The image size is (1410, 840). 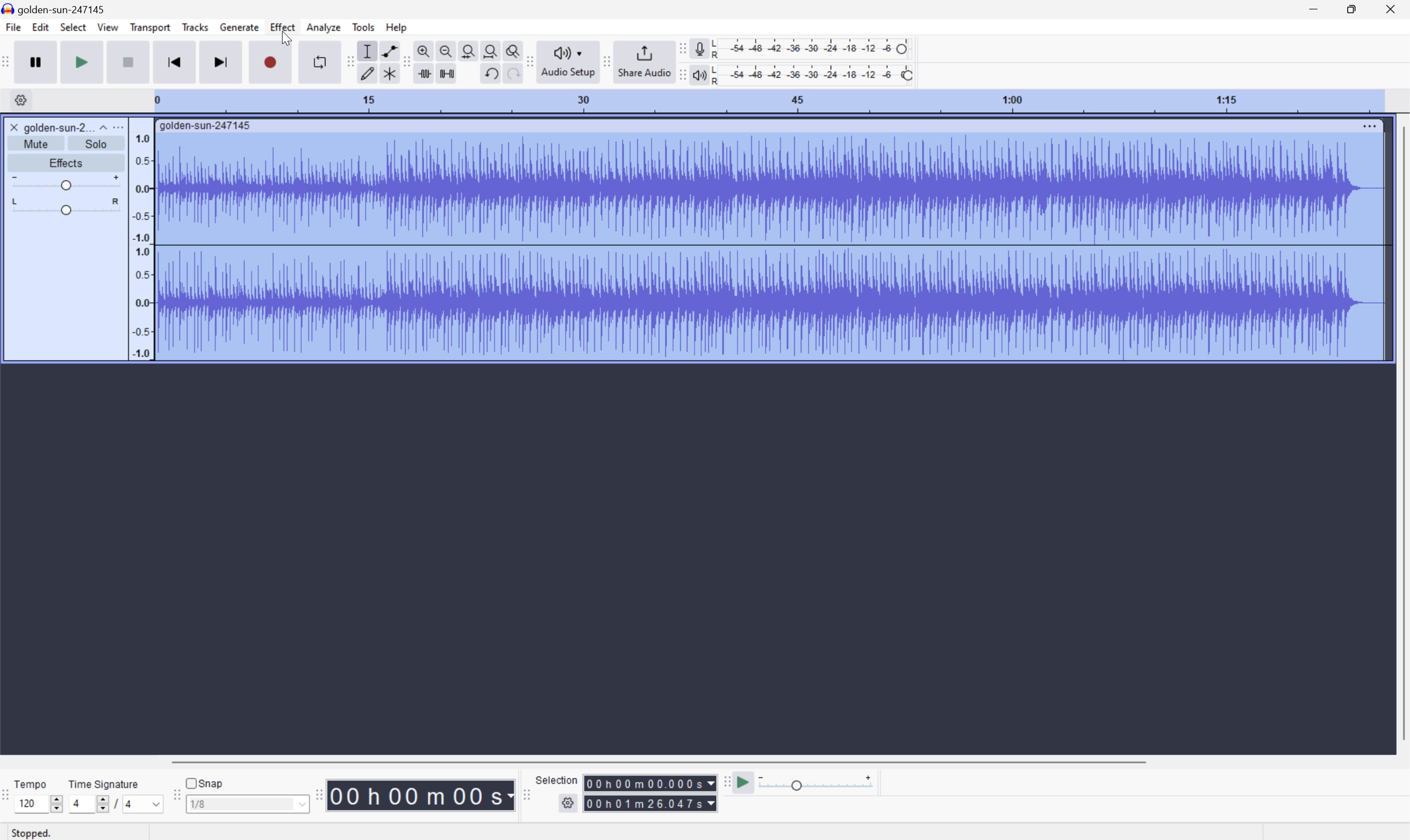 I want to click on Scroll Bar, so click(x=1401, y=432).